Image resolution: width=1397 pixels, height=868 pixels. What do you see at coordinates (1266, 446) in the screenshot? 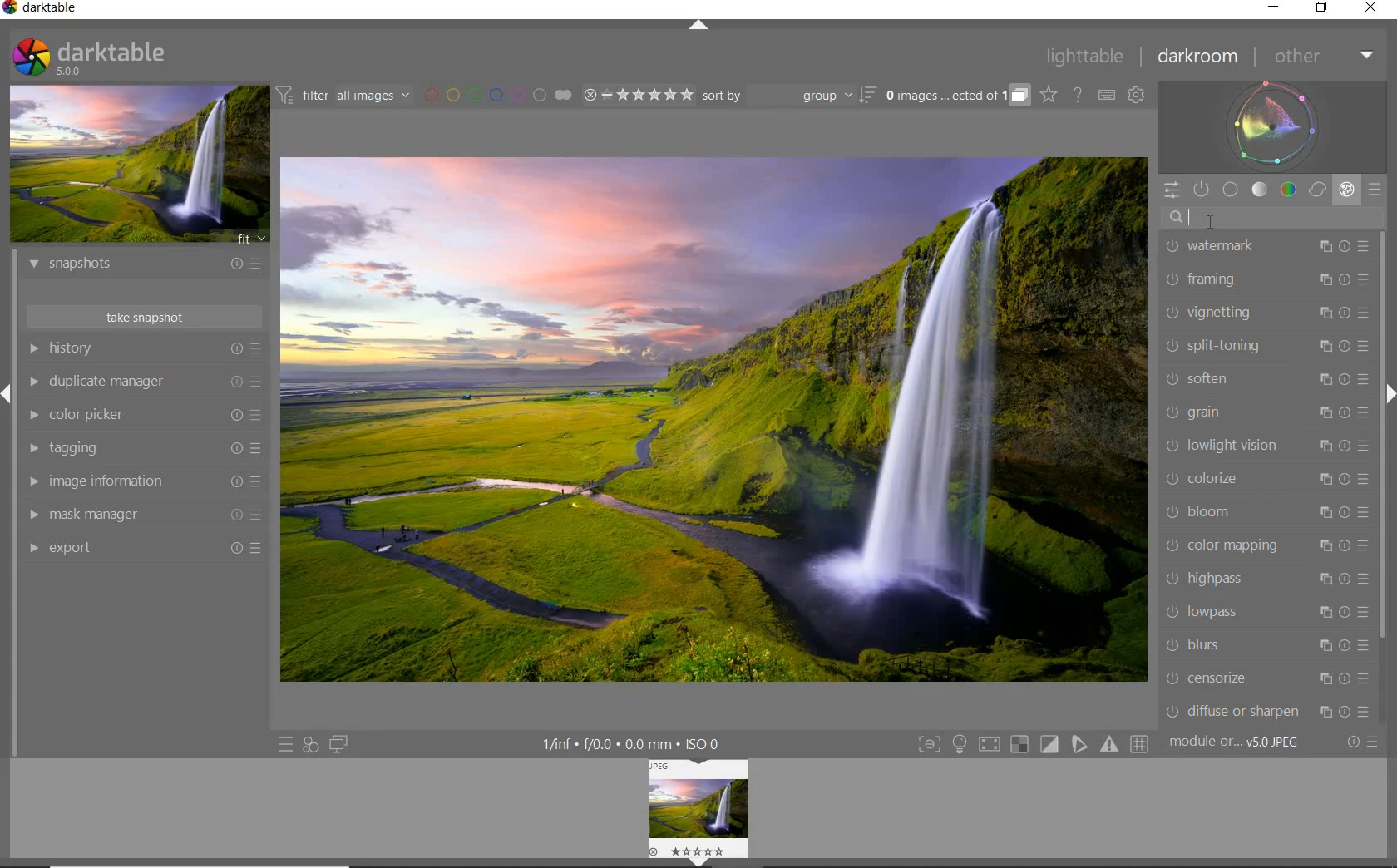
I see `lowlight vision` at bounding box center [1266, 446].